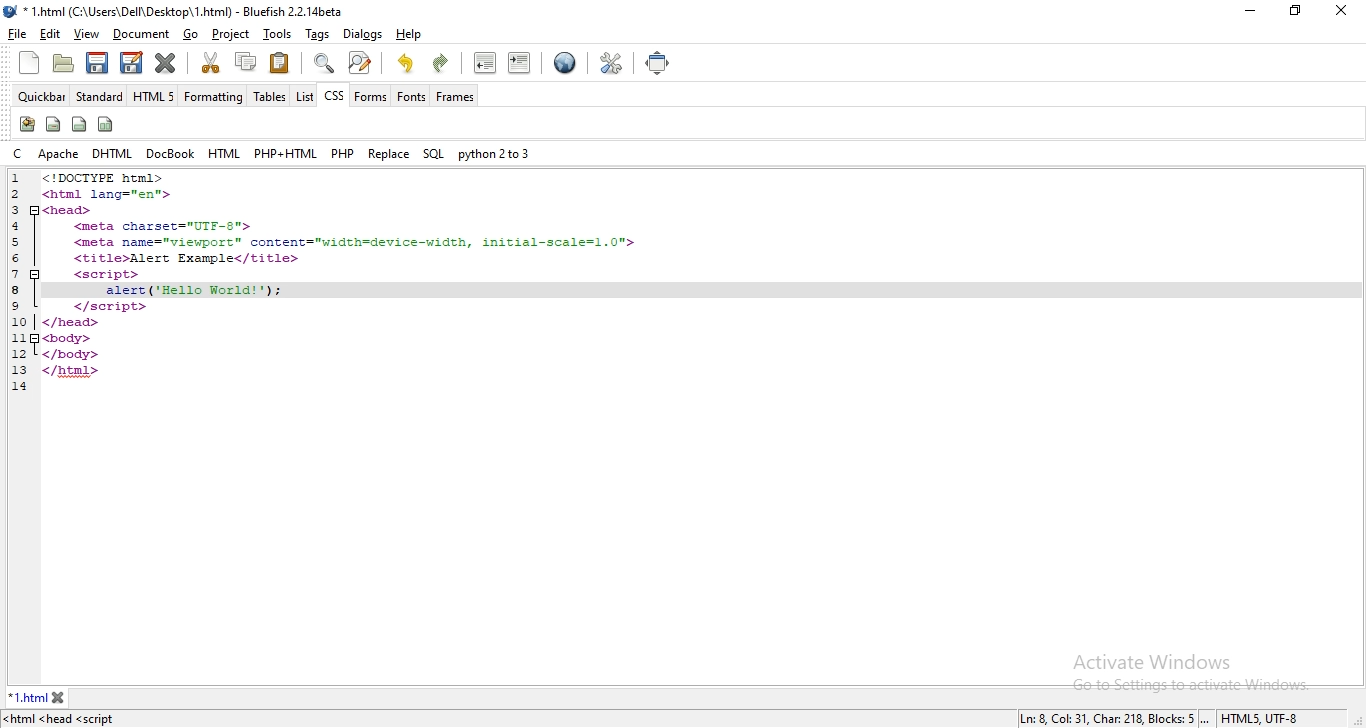  What do you see at coordinates (219, 152) in the screenshot?
I see `html` at bounding box center [219, 152].